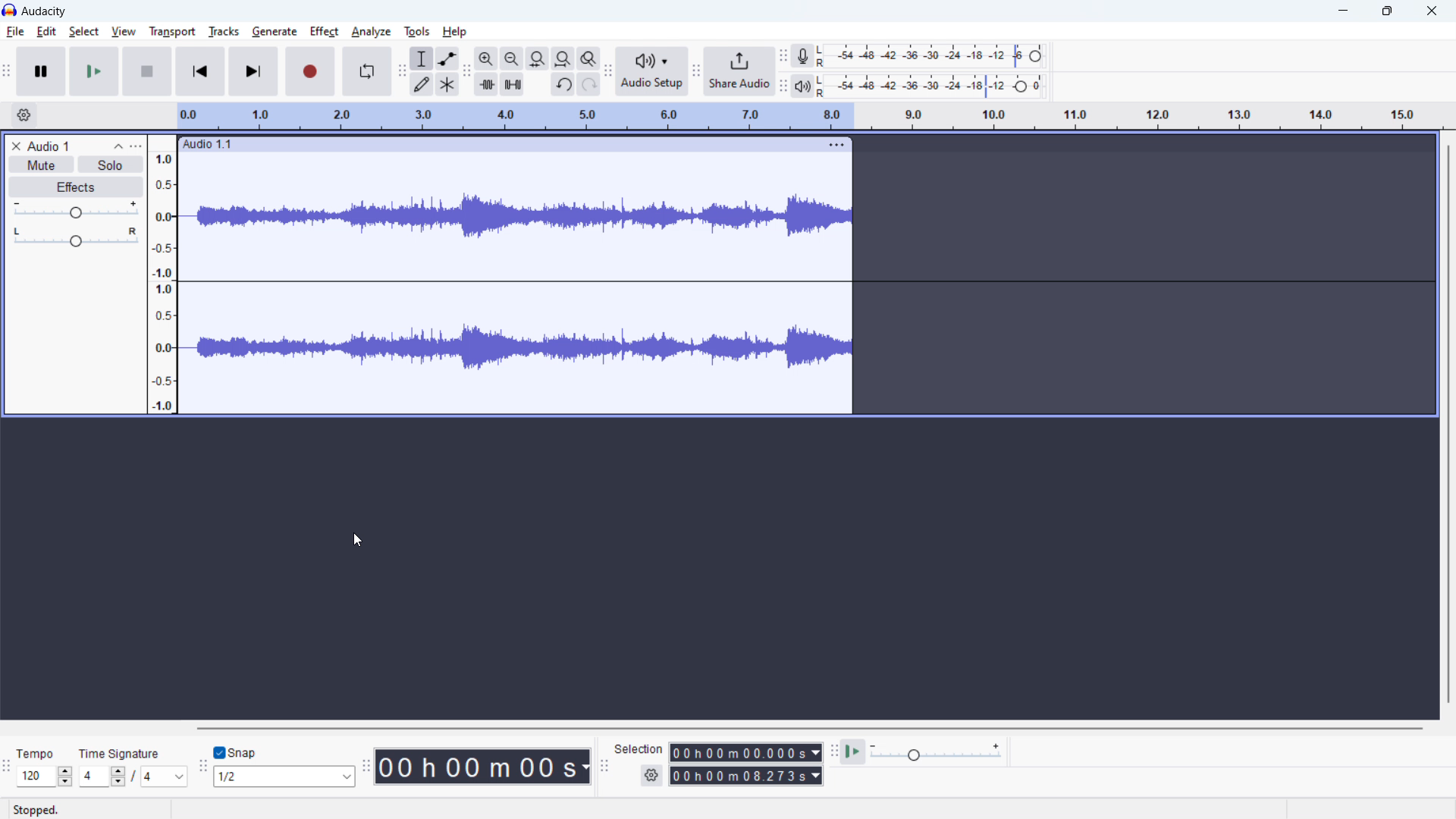 The image size is (1456, 819). Describe the element at coordinates (538, 58) in the screenshot. I see `fit selection to width` at that location.